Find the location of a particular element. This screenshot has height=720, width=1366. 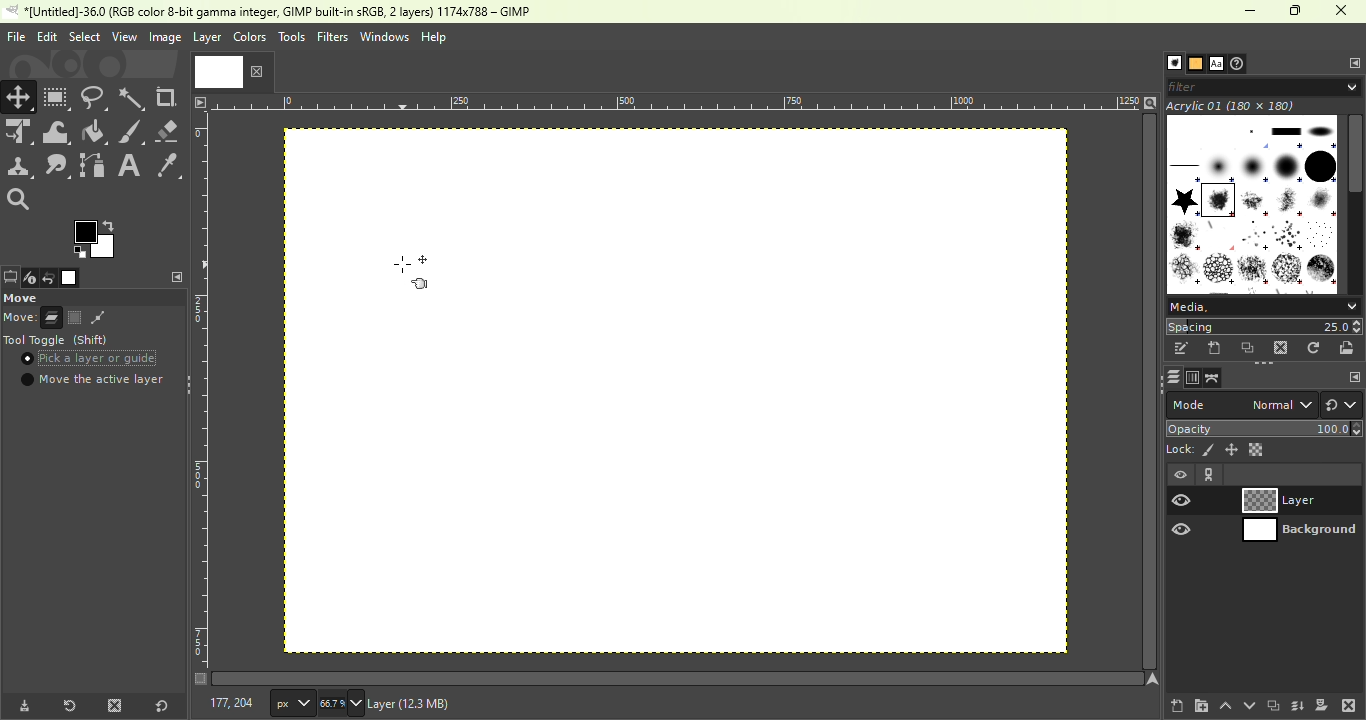

Save tool preset is located at coordinates (22, 707).